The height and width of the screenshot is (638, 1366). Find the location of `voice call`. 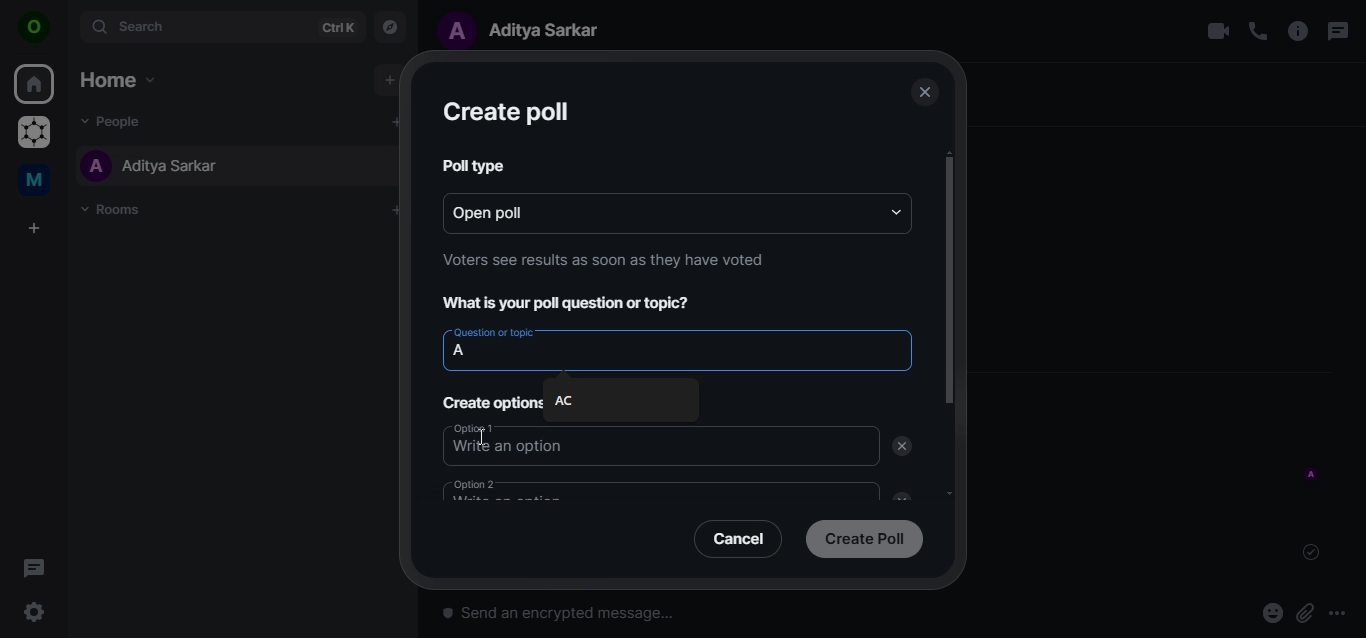

voice call is located at coordinates (1258, 31).